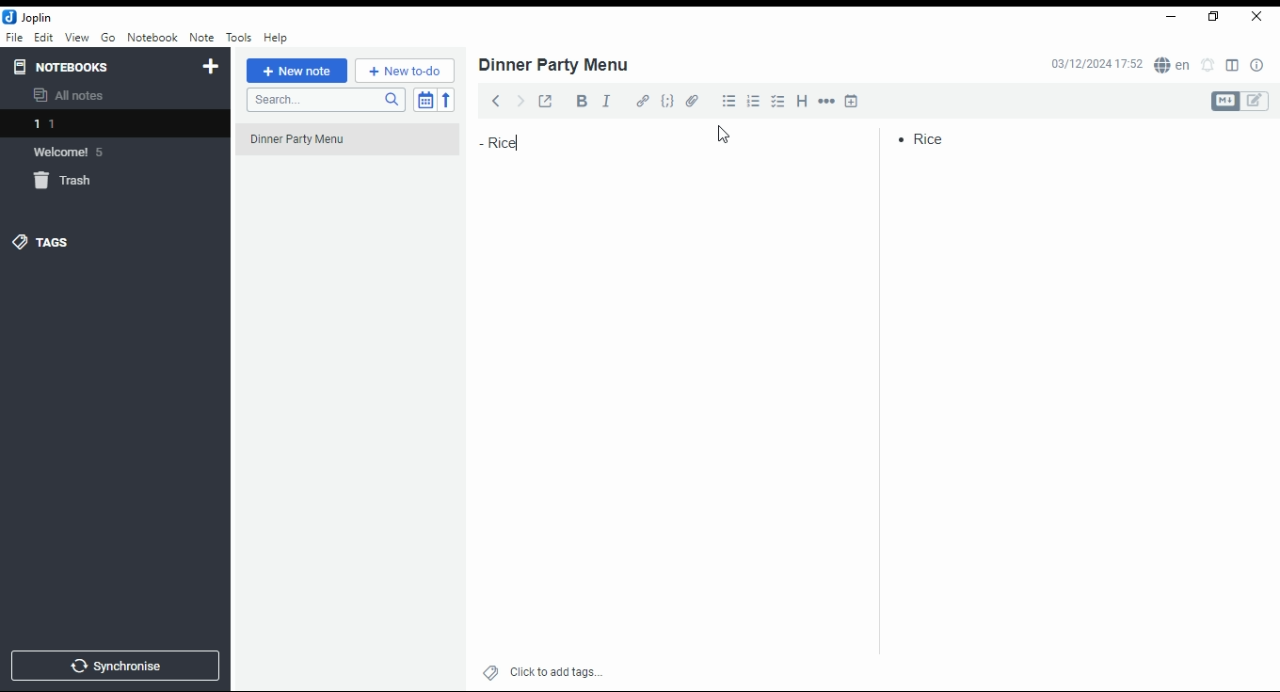  What do you see at coordinates (276, 38) in the screenshot?
I see `help` at bounding box center [276, 38].